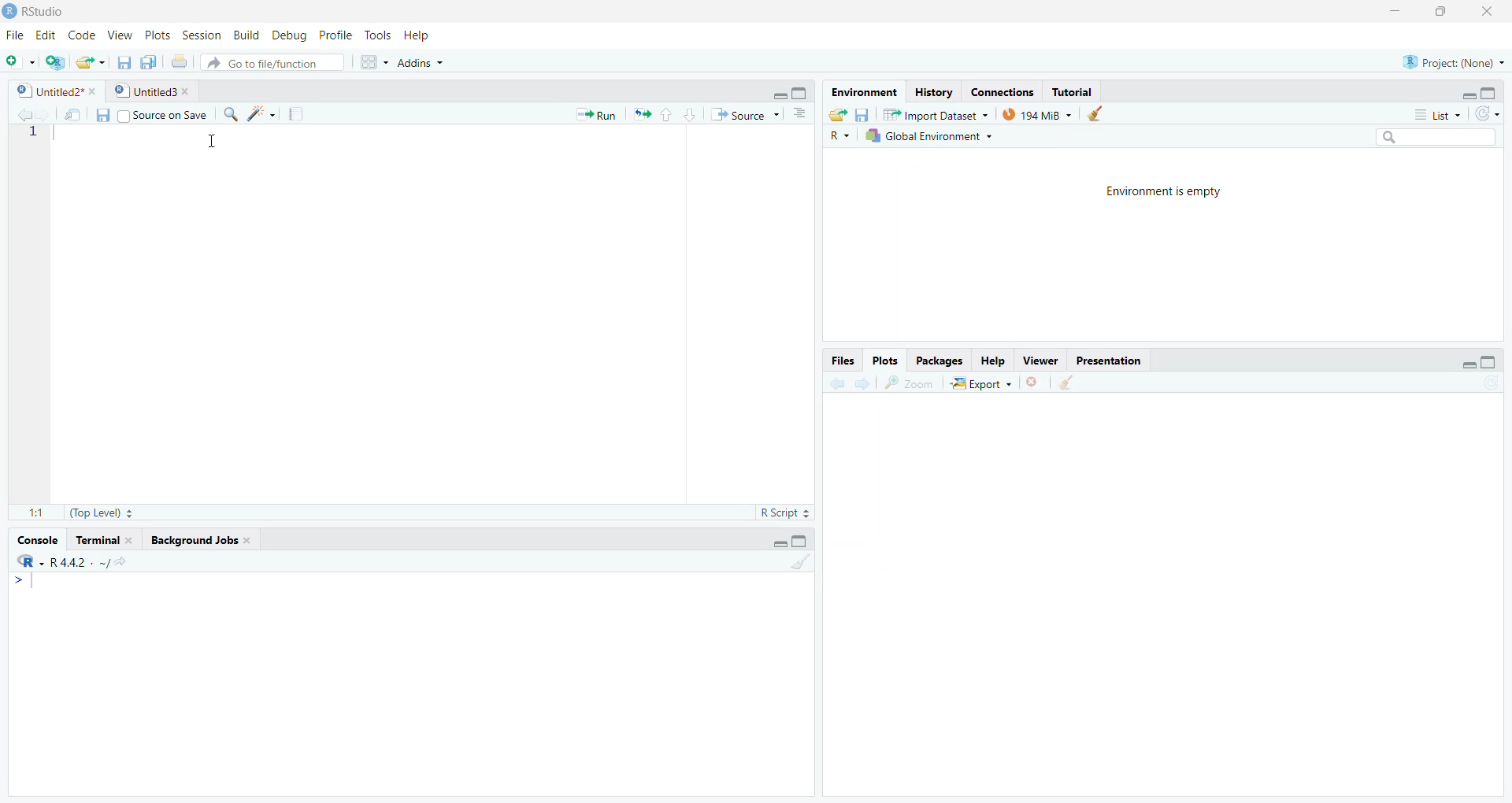 The width and height of the screenshot is (1512, 803). What do you see at coordinates (910, 383) in the screenshot?
I see `Zoom` at bounding box center [910, 383].